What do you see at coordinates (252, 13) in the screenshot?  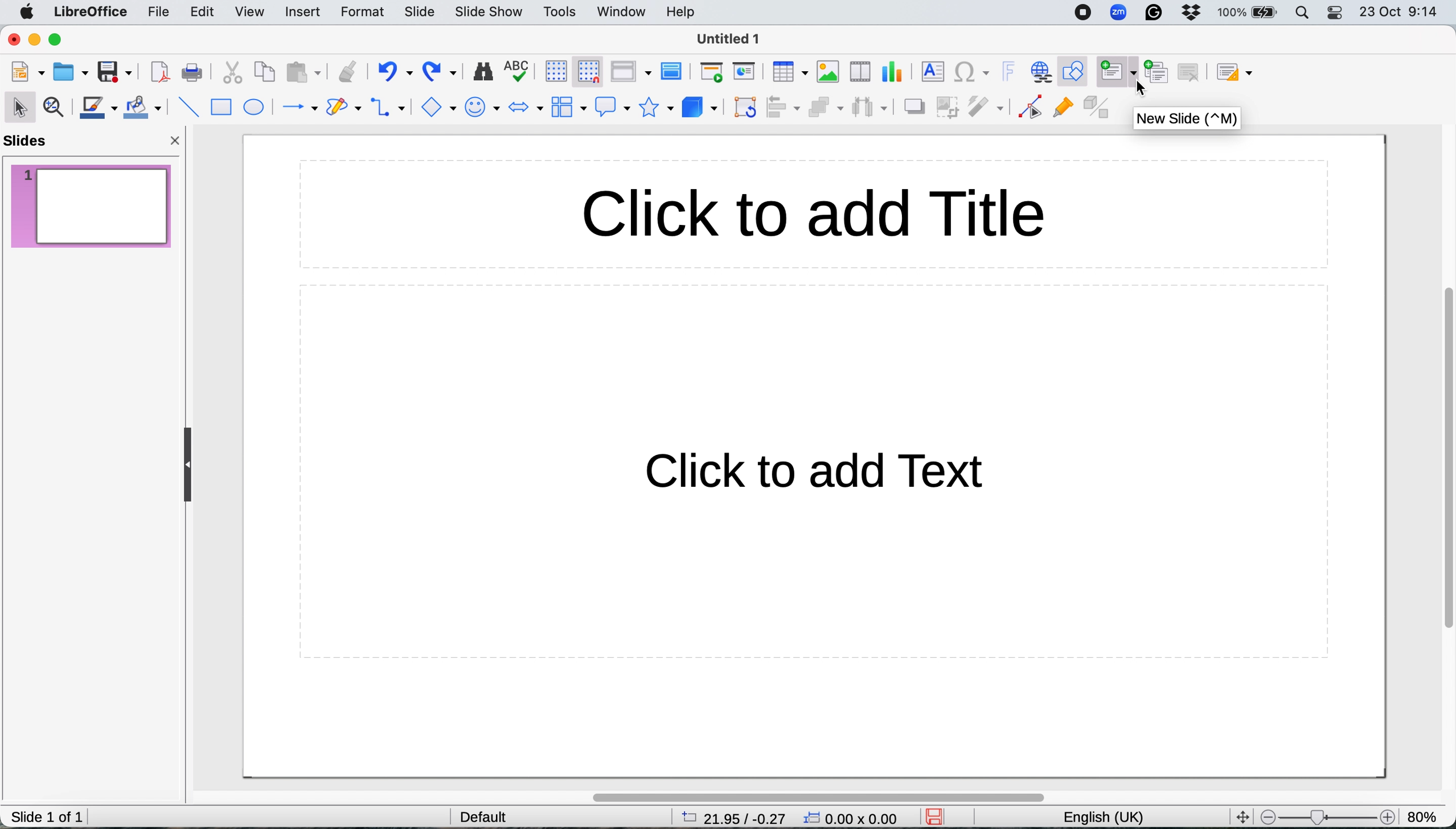 I see `view` at bounding box center [252, 13].